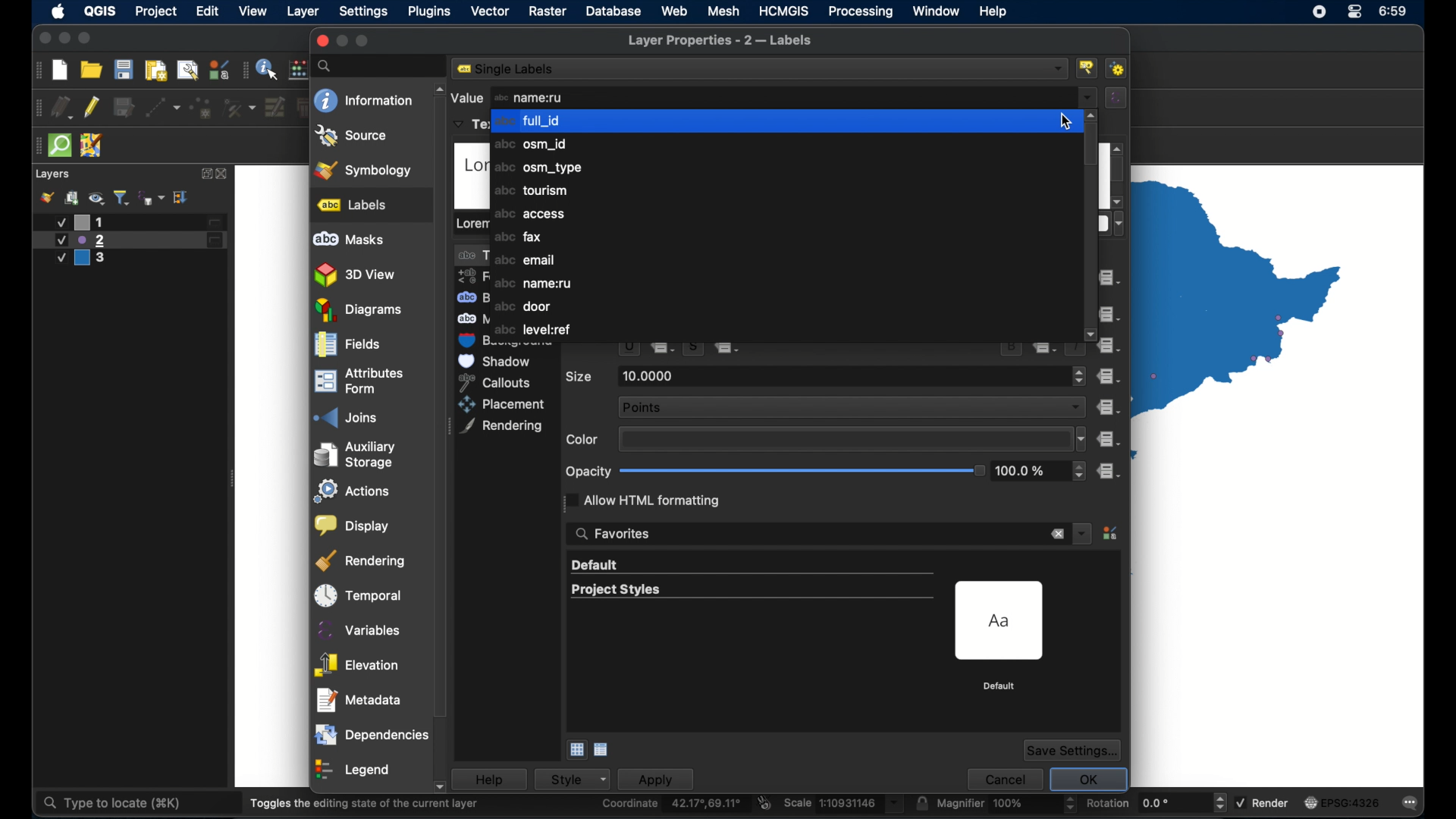  Describe the element at coordinates (537, 169) in the screenshot. I see `osm_type` at that location.